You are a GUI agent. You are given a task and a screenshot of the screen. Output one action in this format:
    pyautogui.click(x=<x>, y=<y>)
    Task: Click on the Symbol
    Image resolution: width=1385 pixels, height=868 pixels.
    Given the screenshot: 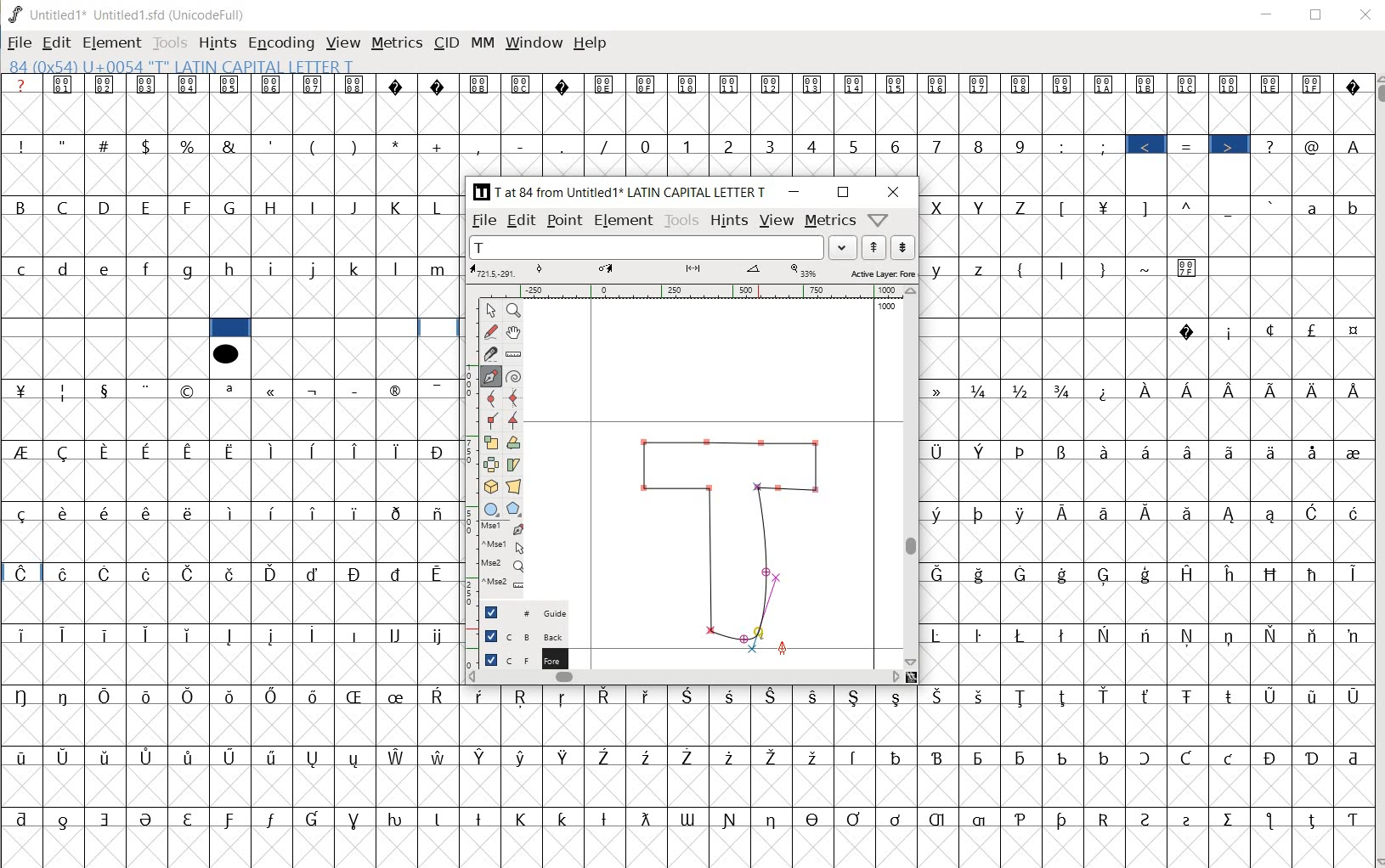 What is the action you would take?
    pyautogui.click(x=983, y=575)
    